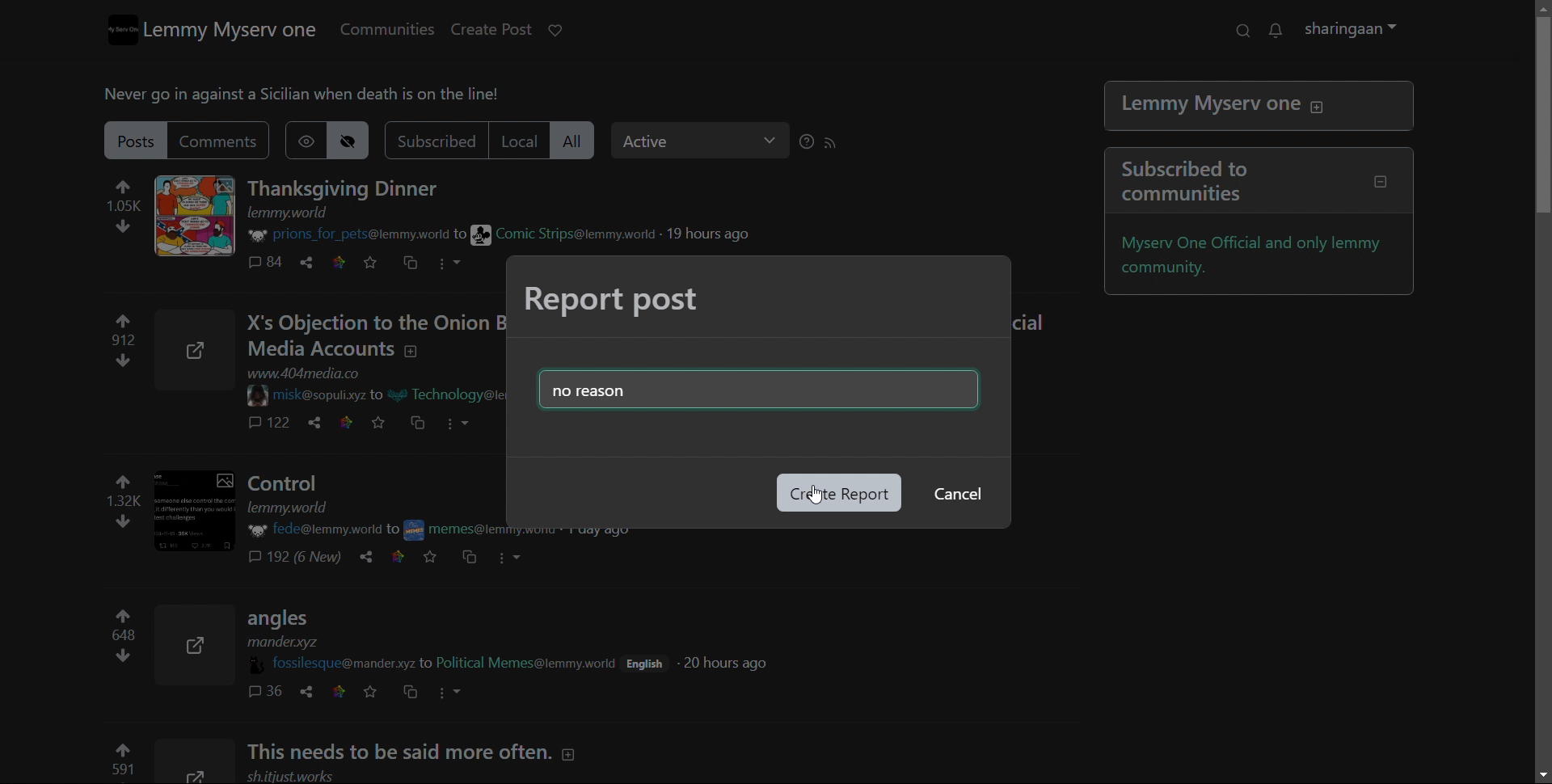  Describe the element at coordinates (419, 263) in the screenshot. I see `cross post` at that location.